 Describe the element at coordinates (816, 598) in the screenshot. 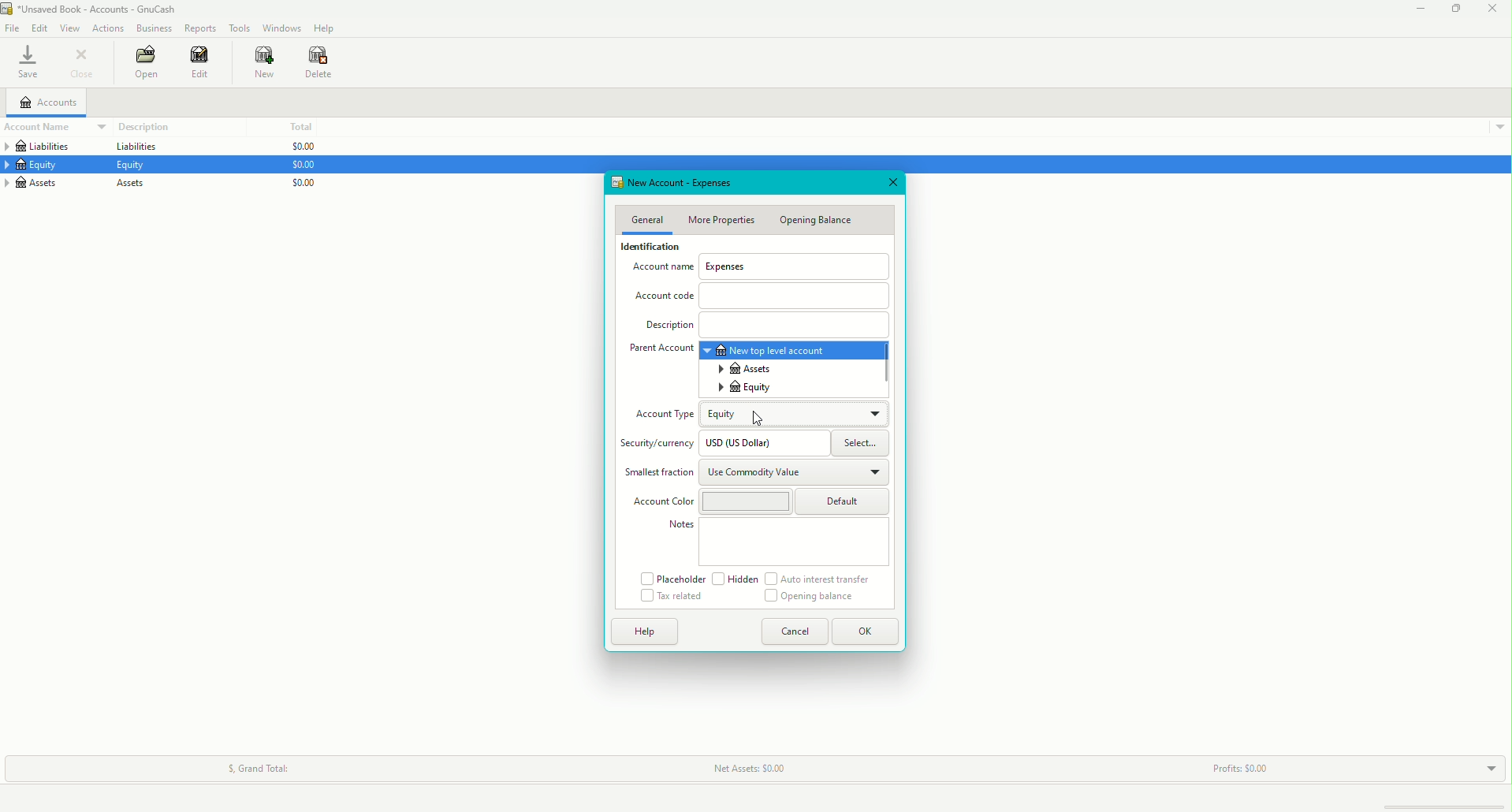

I see `Opening Balance` at that location.